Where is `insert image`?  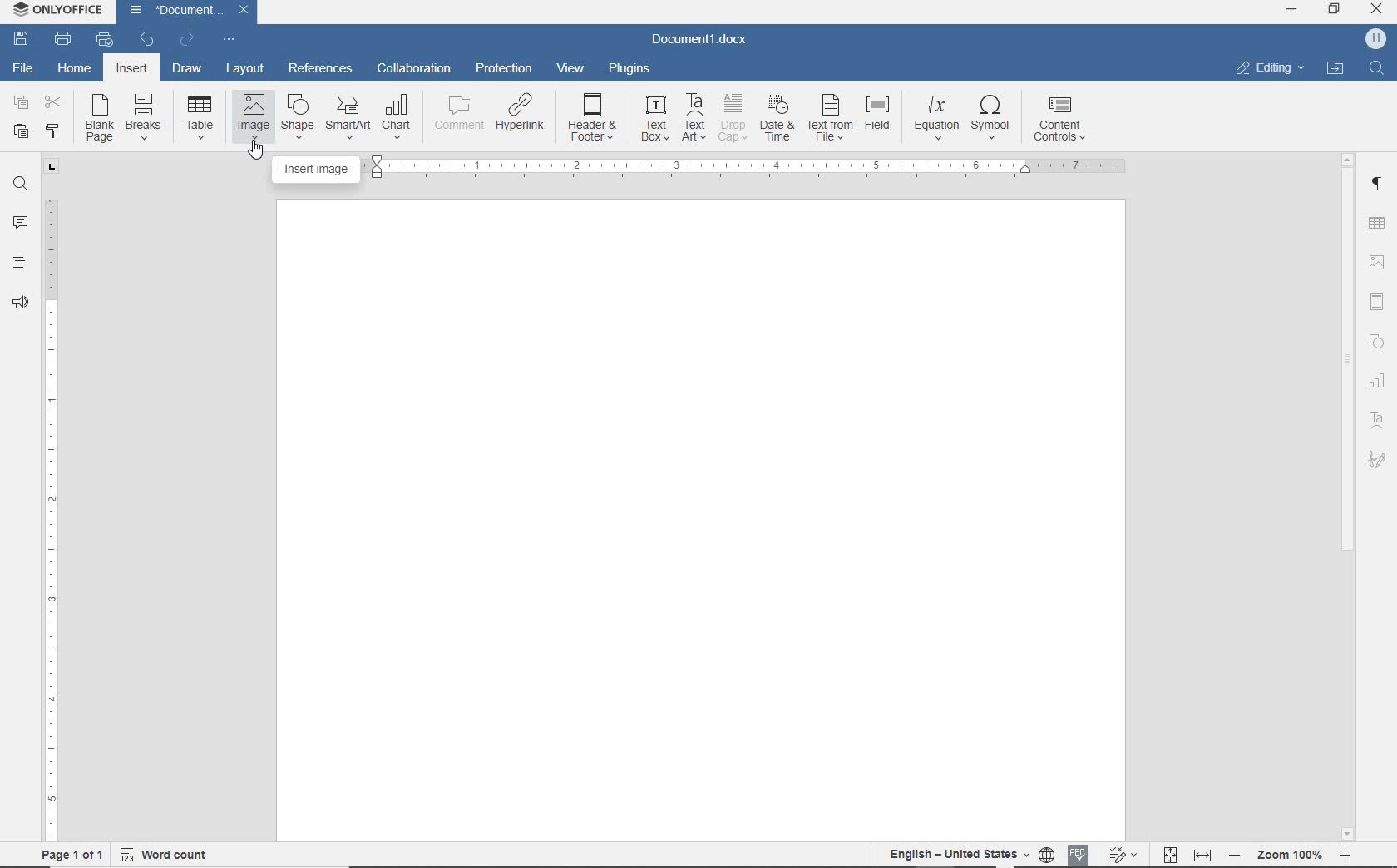
insert image is located at coordinates (315, 168).